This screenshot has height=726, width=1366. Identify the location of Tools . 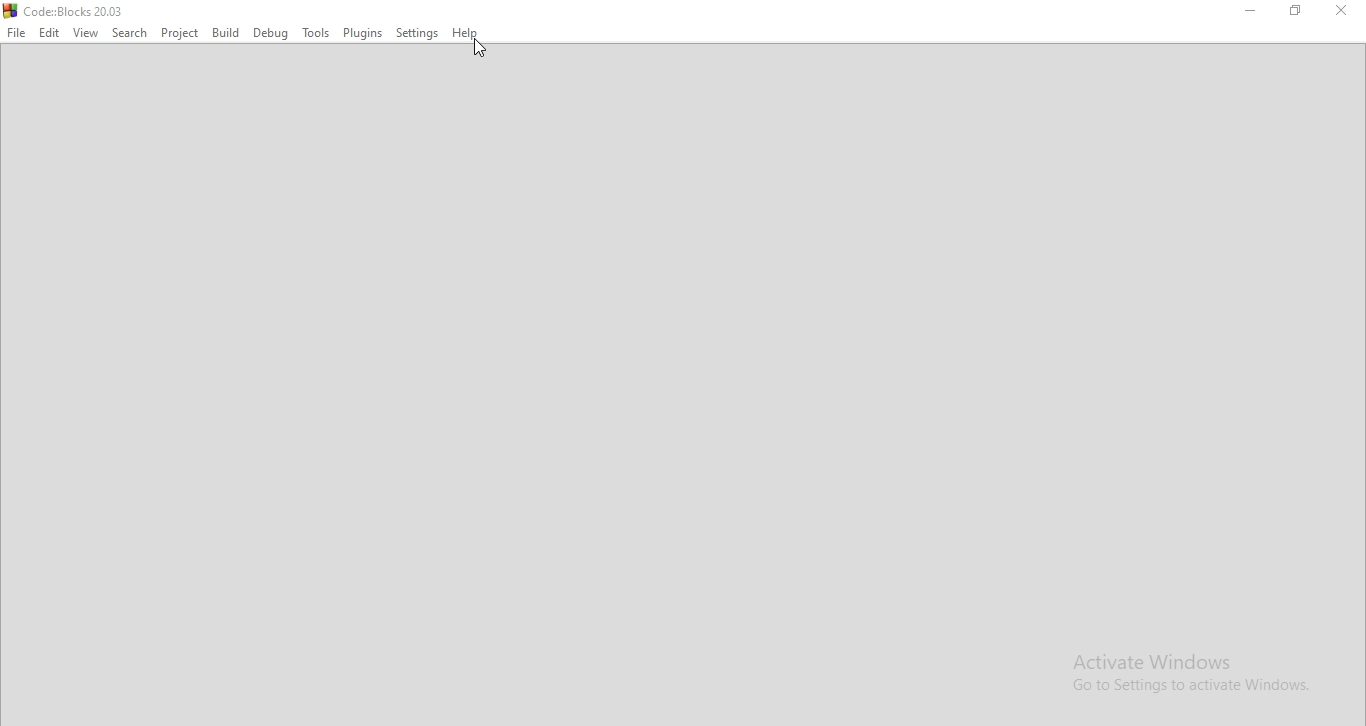
(314, 33).